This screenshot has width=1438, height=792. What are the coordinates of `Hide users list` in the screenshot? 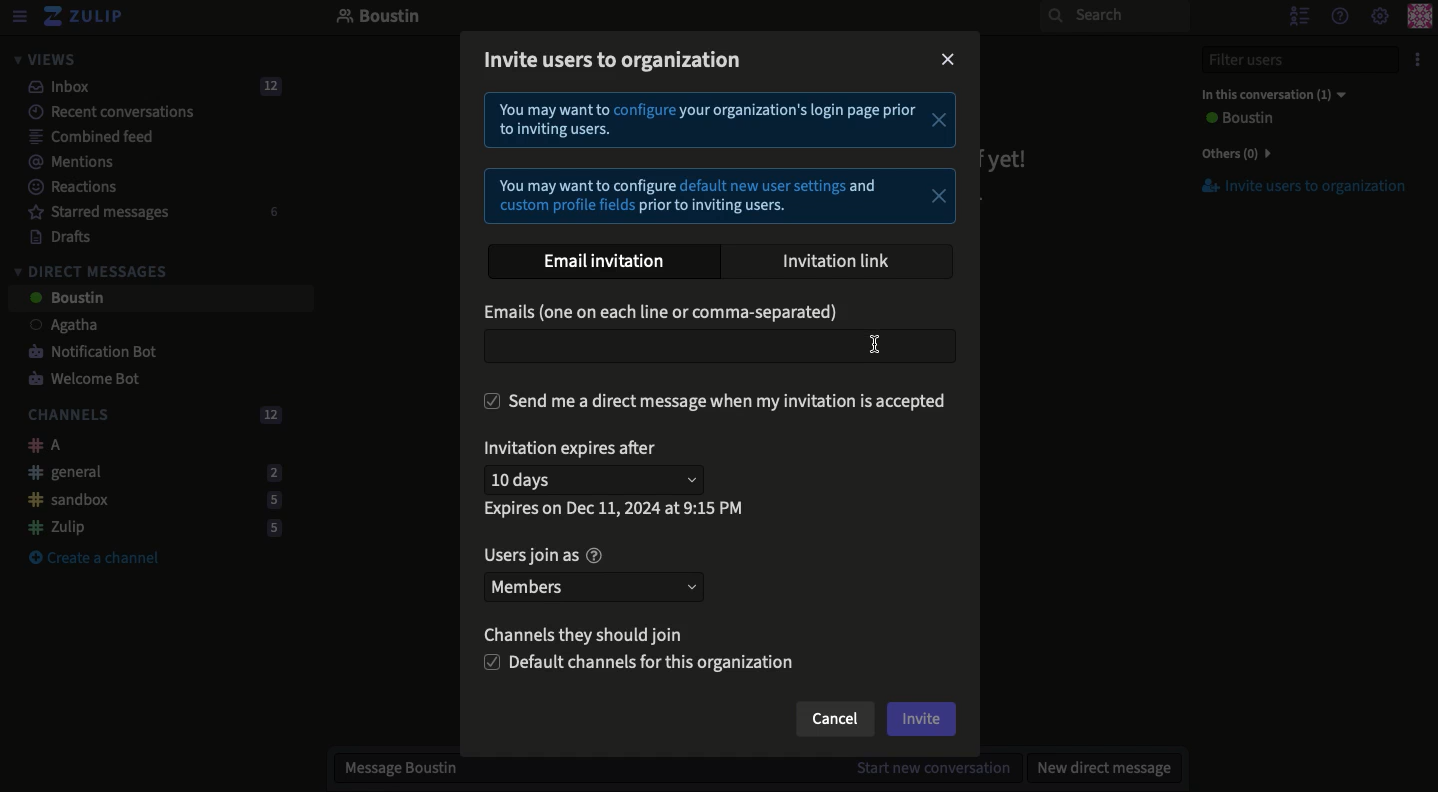 It's located at (1297, 15).